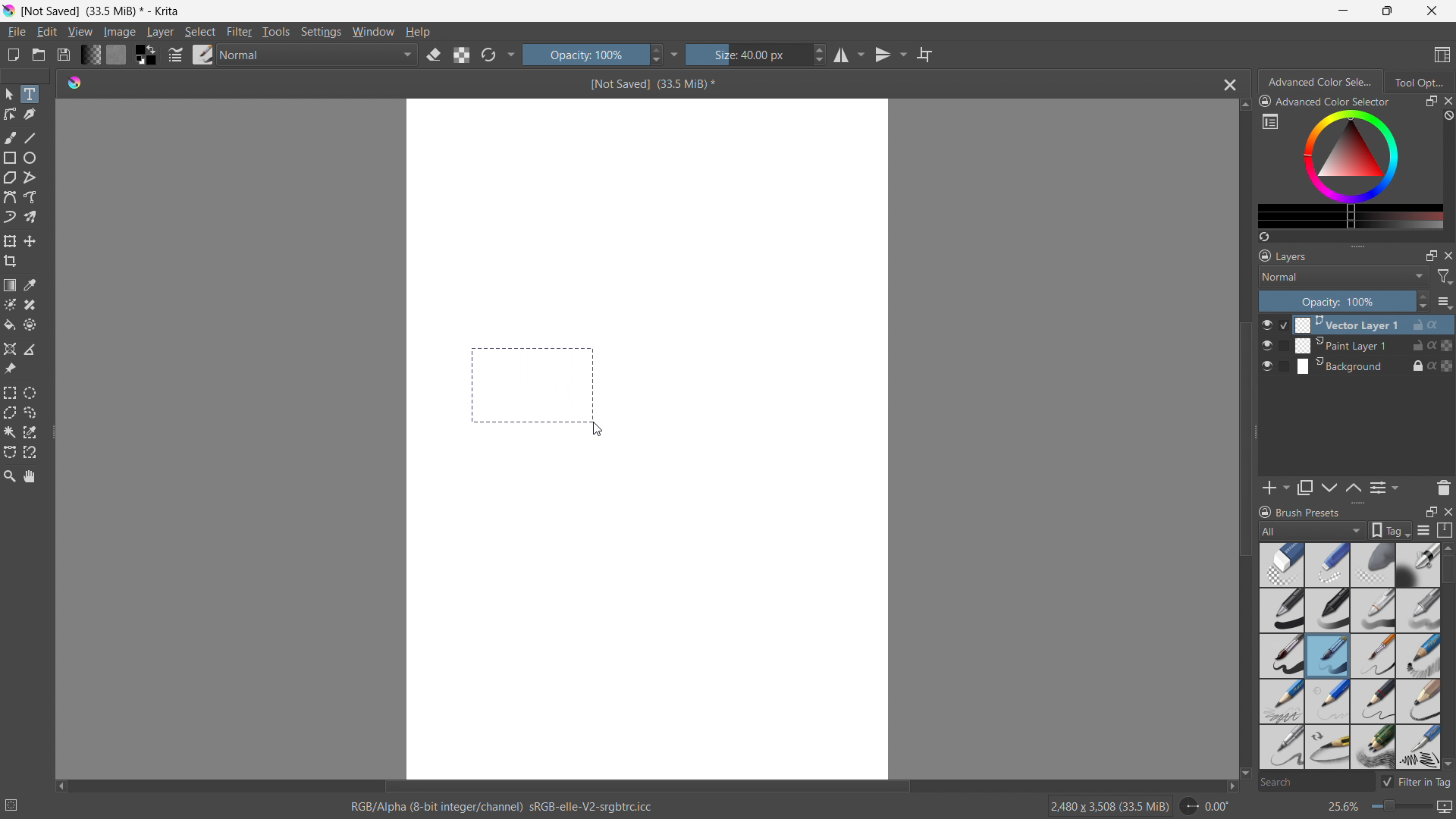  I want to click on set erasor, so click(433, 55).